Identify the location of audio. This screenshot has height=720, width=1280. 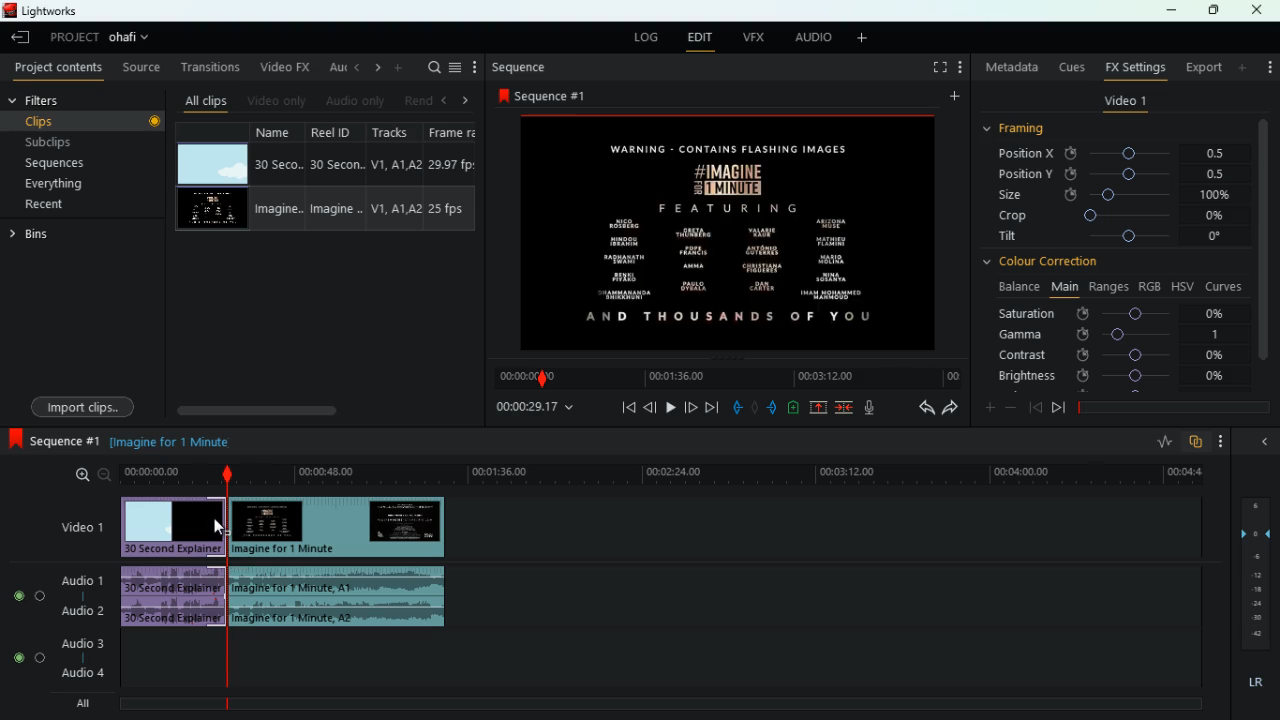
(340, 597).